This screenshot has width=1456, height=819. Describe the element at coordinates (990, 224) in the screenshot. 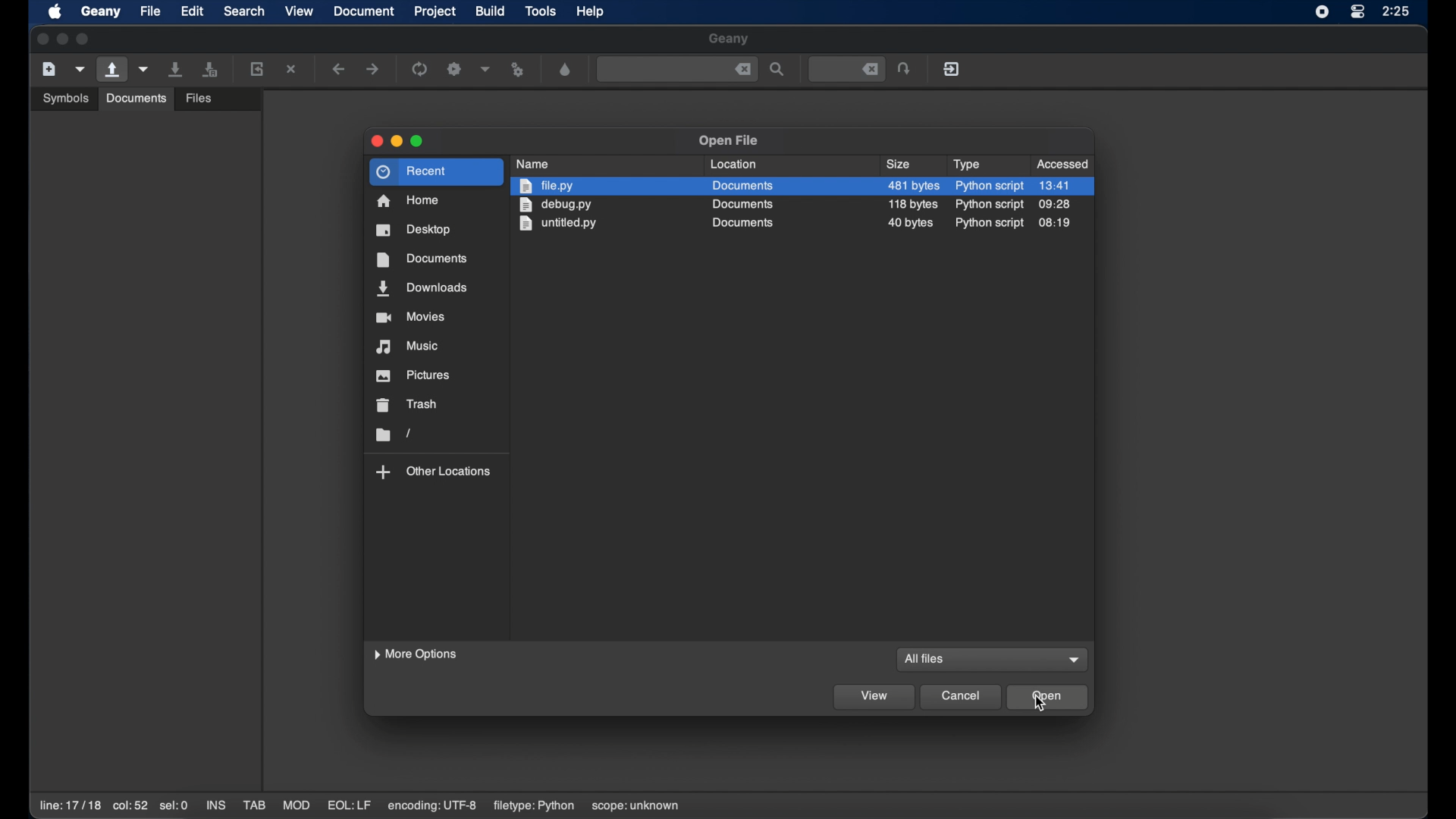

I see `python script` at that location.